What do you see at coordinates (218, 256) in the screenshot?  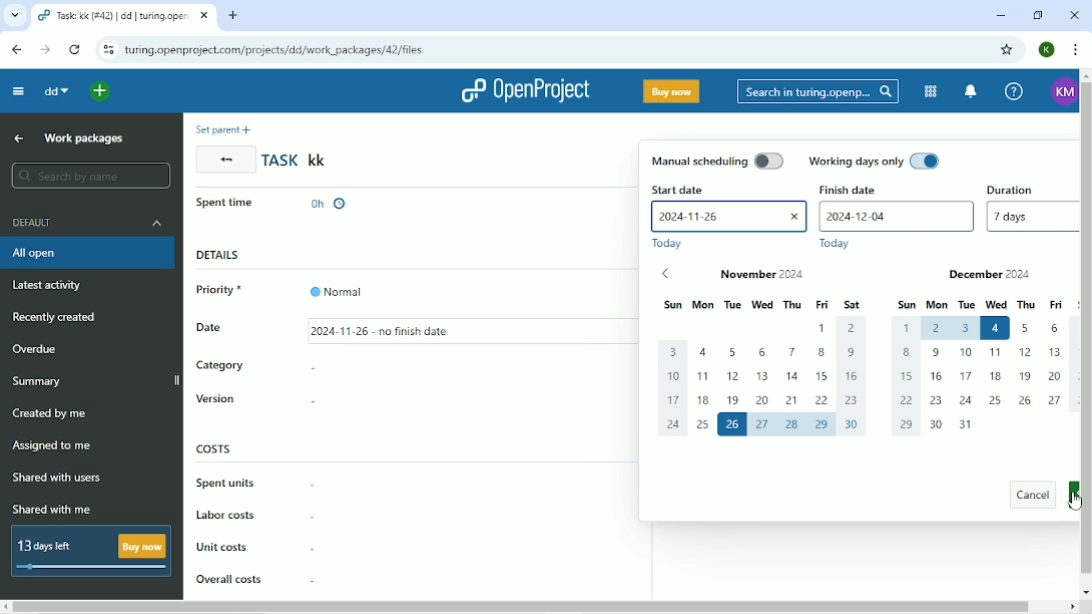 I see `Details` at bounding box center [218, 256].